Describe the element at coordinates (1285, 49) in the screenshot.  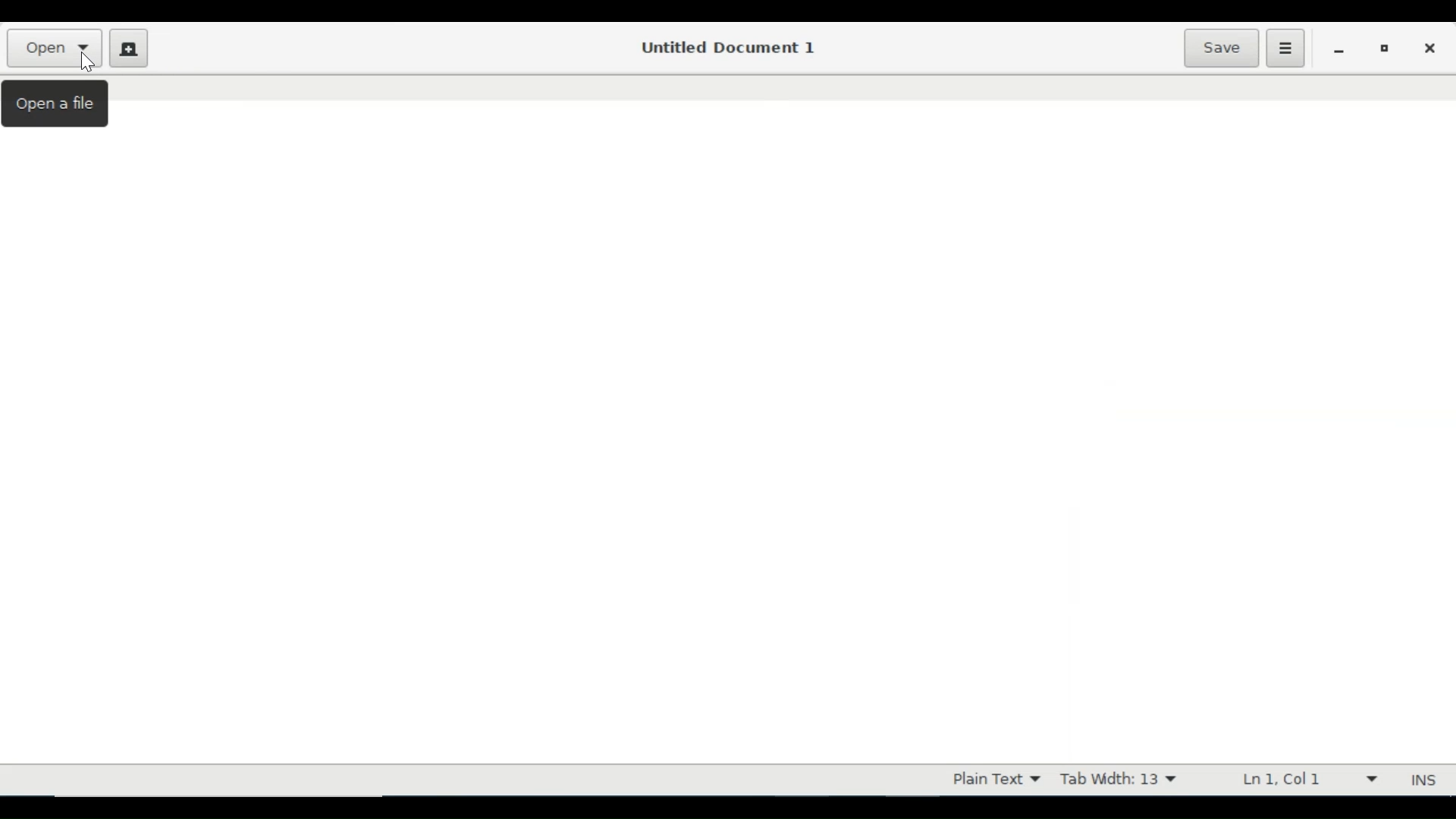
I see `Application menu` at that location.